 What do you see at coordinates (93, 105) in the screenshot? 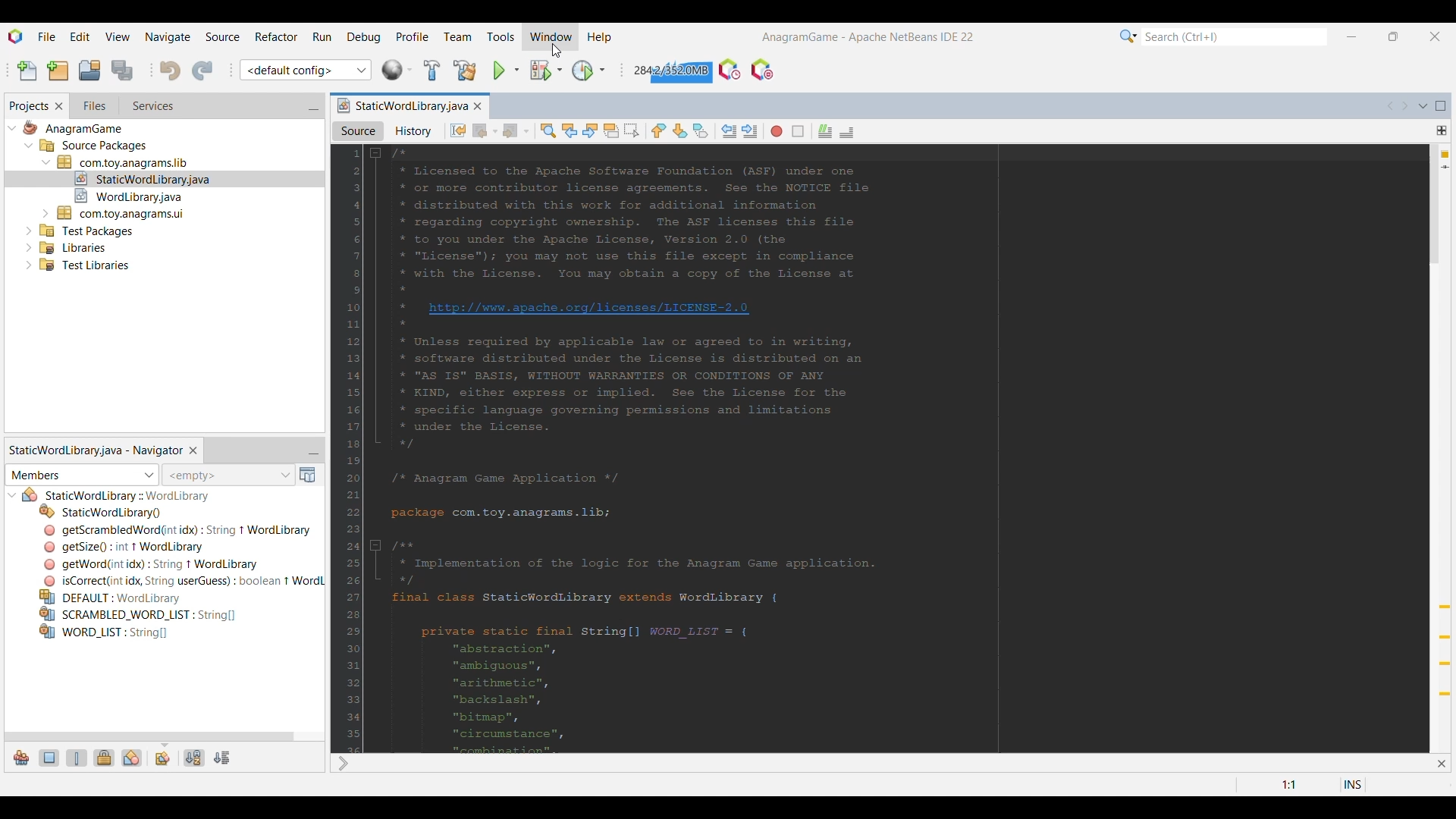
I see `Go to files` at bounding box center [93, 105].